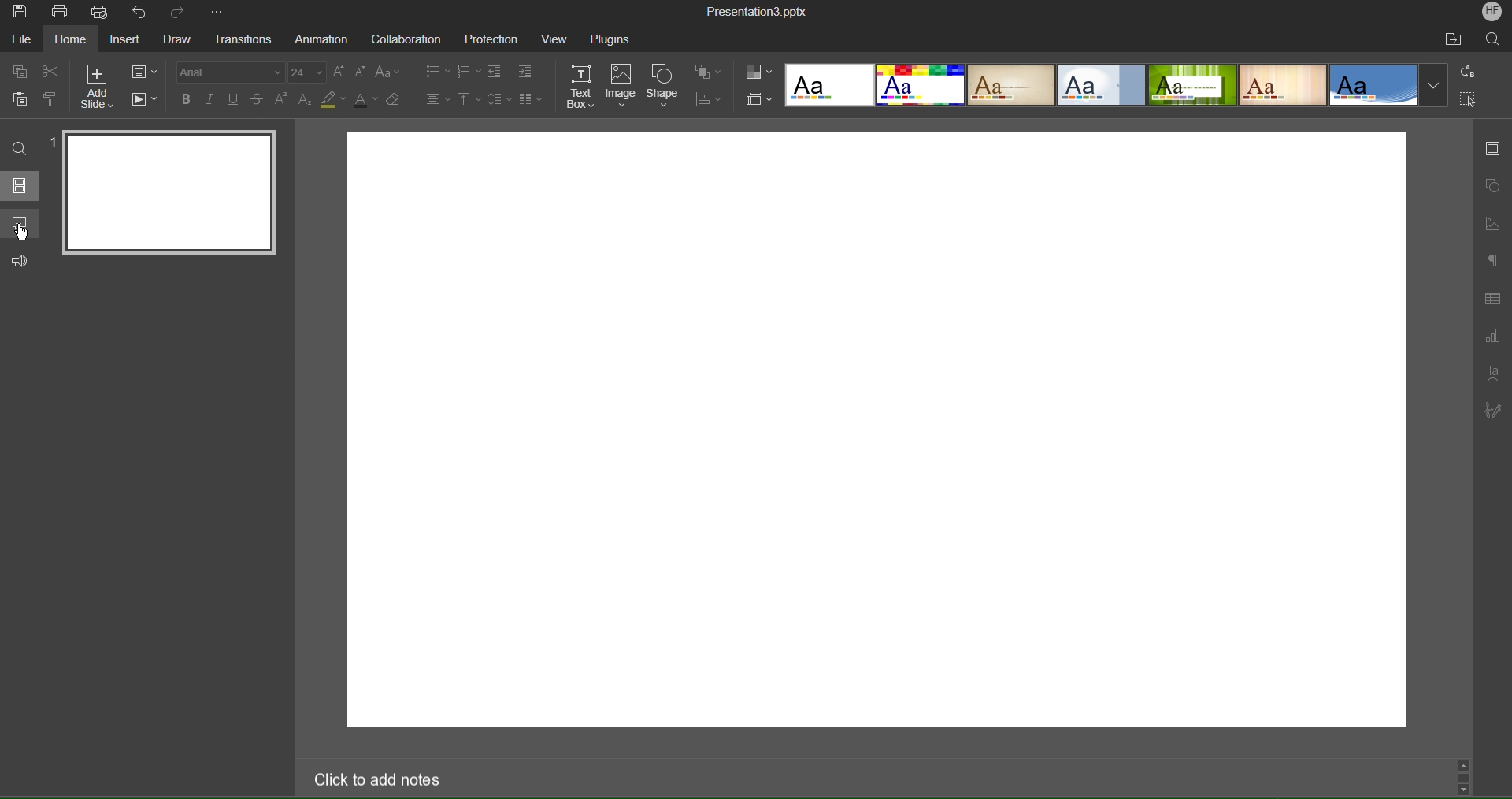  What do you see at coordinates (22, 262) in the screenshot?
I see `Feedback and Support` at bounding box center [22, 262].